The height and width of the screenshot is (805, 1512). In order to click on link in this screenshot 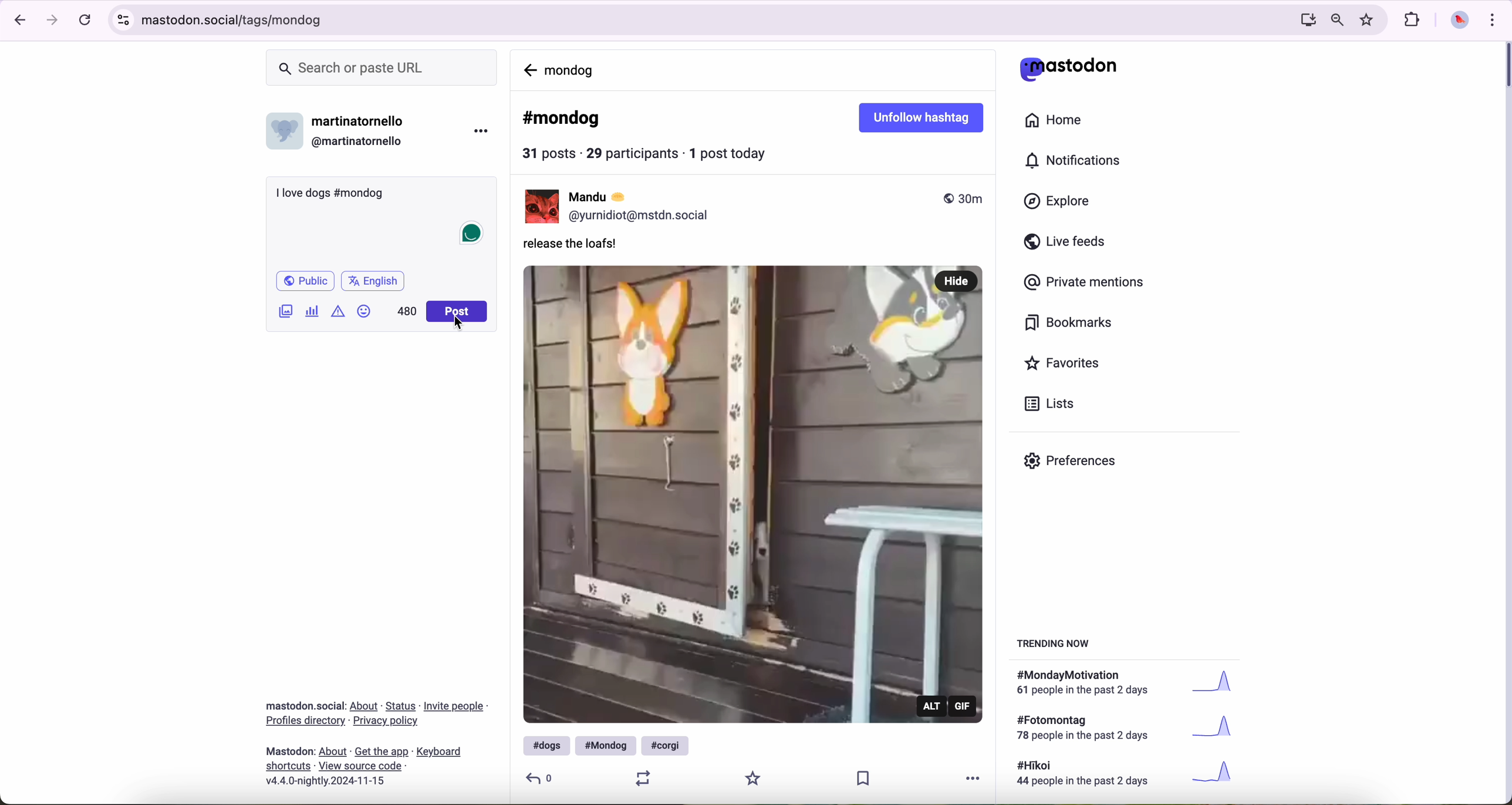, I will do `click(439, 753)`.